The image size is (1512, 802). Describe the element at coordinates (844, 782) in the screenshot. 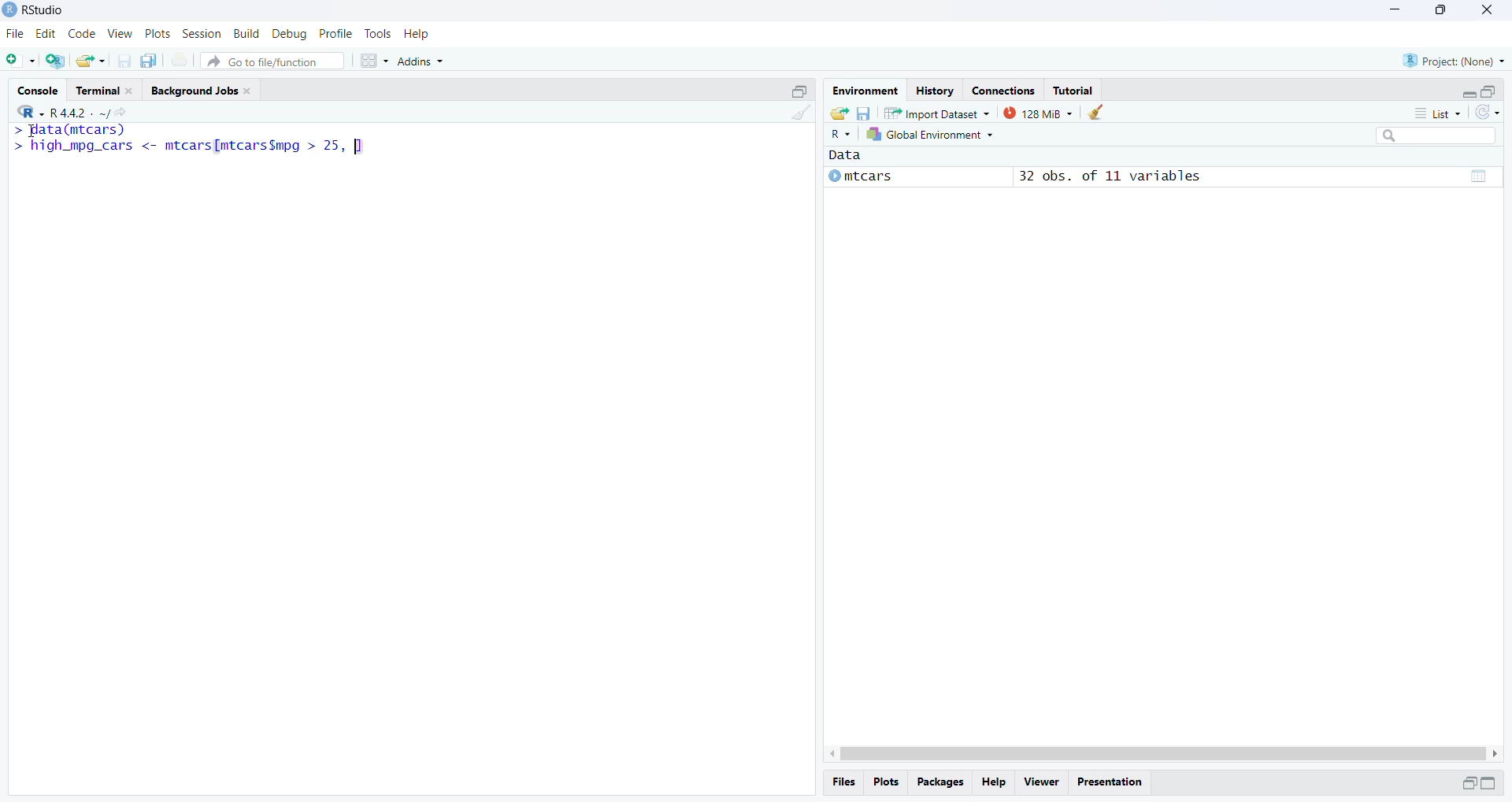

I see `Files` at that location.